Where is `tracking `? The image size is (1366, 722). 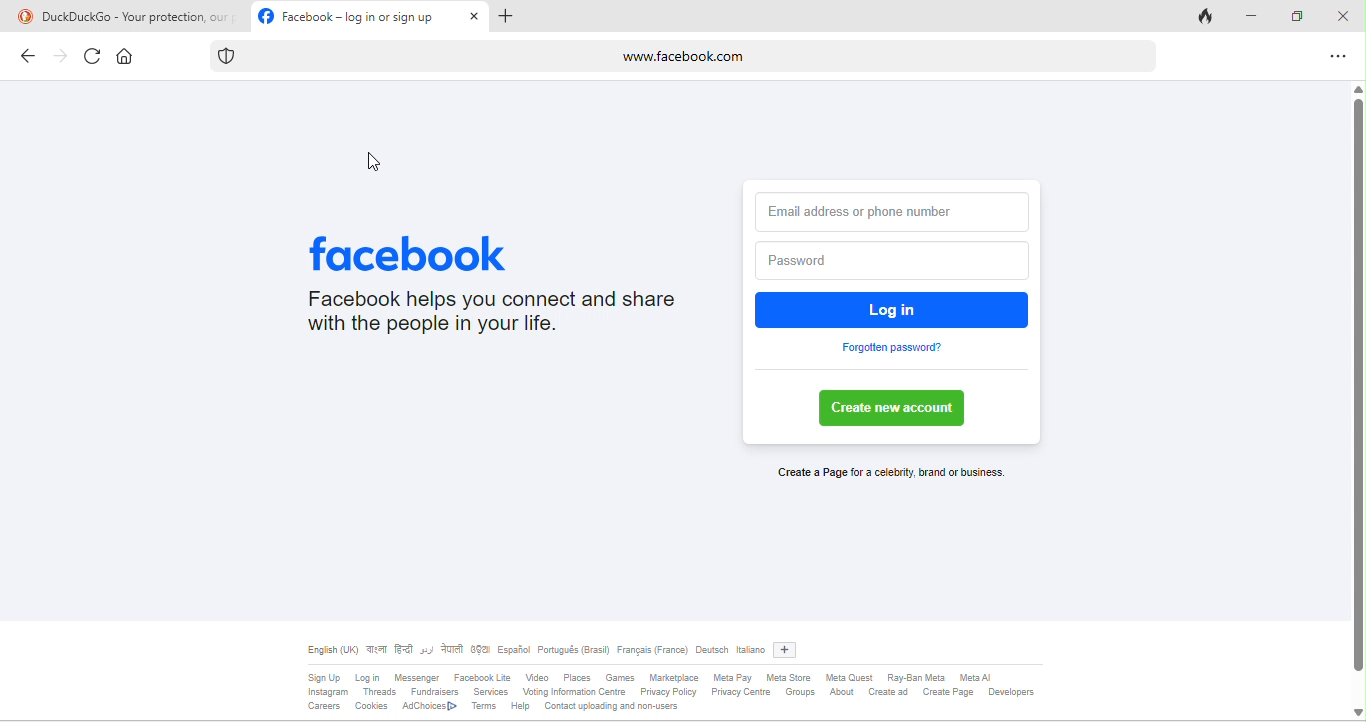 tracking  is located at coordinates (223, 58).